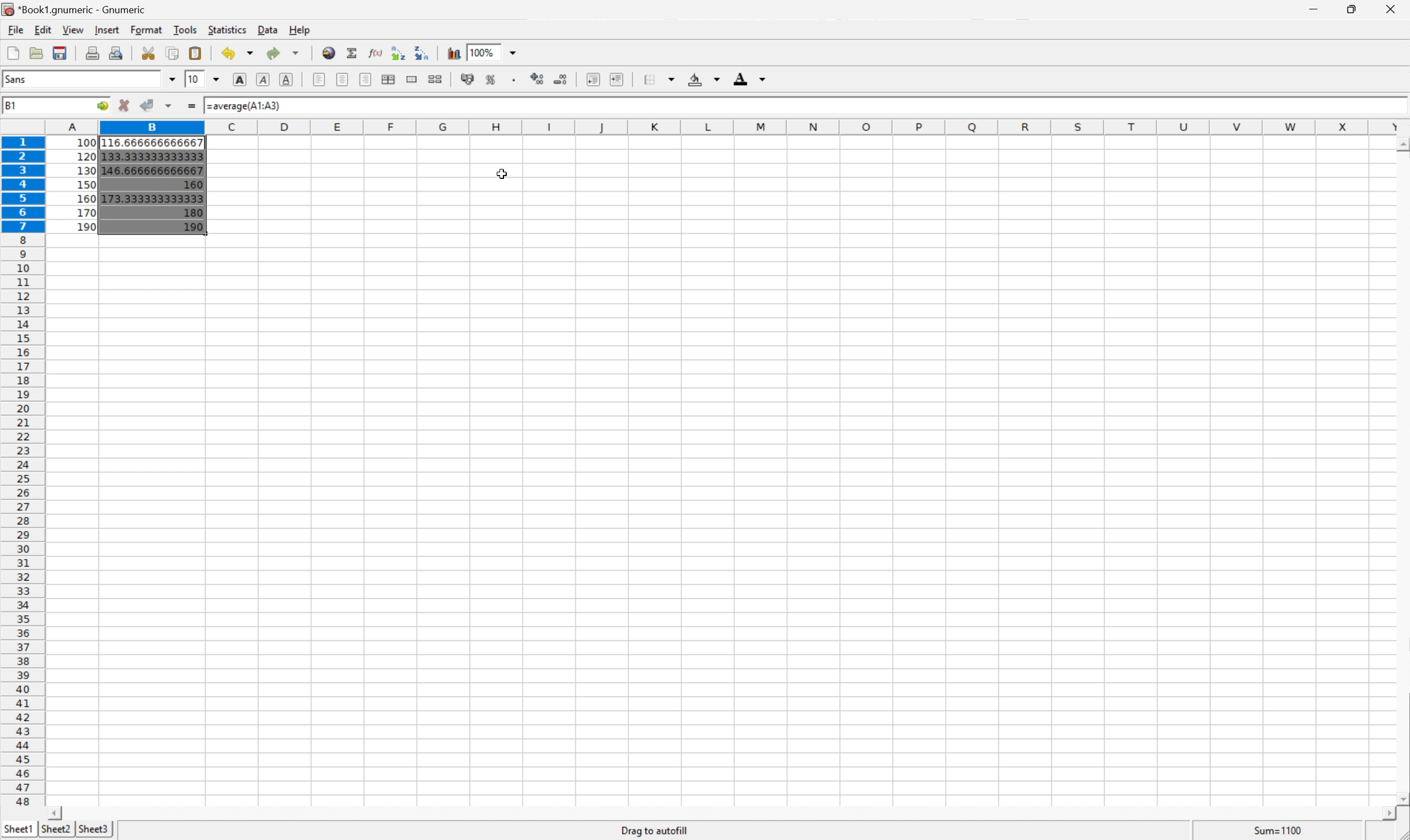 The width and height of the screenshot is (1410, 840). I want to click on Go to, so click(103, 106).